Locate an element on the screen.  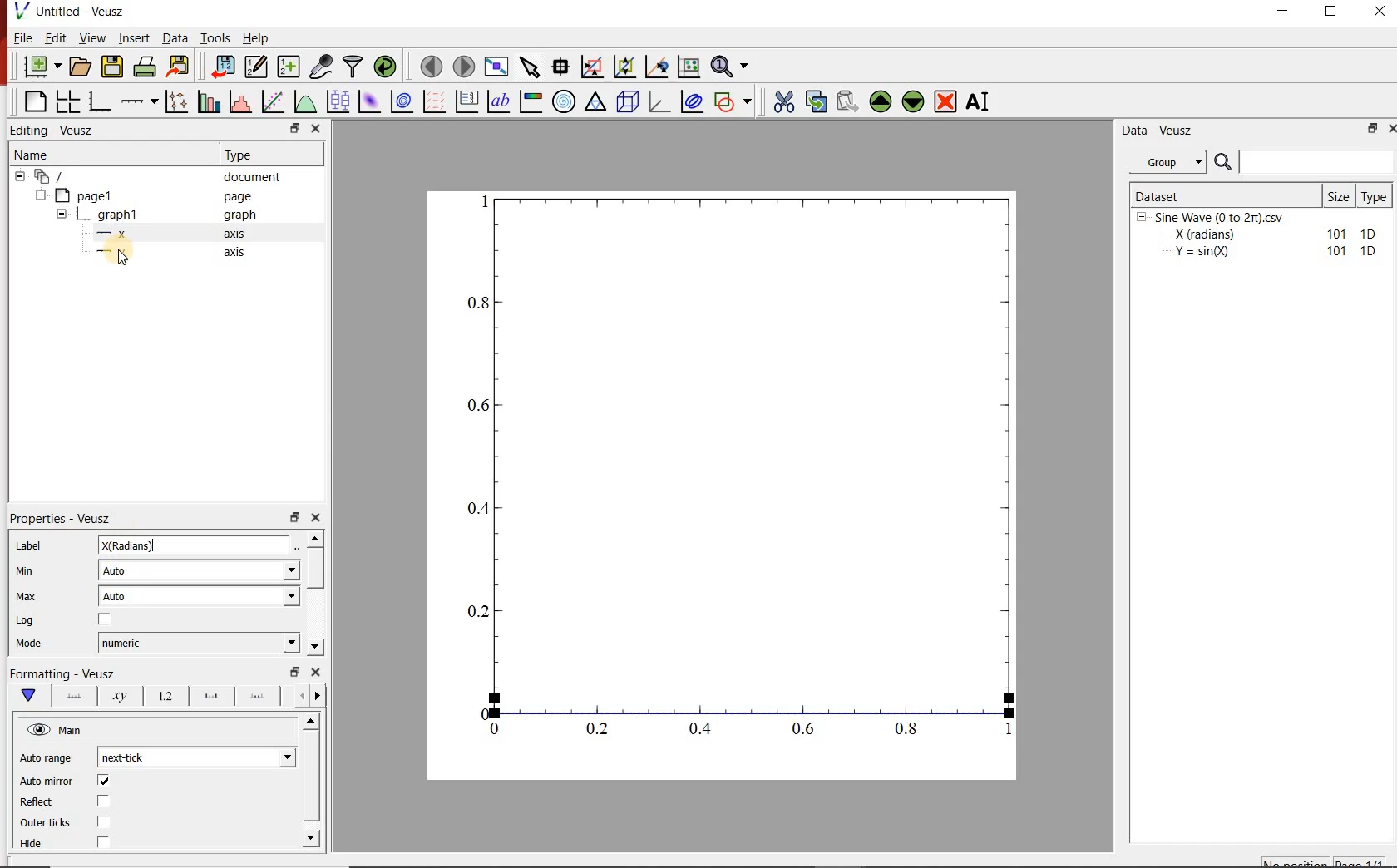
cut is located at coordinates (784, 100).